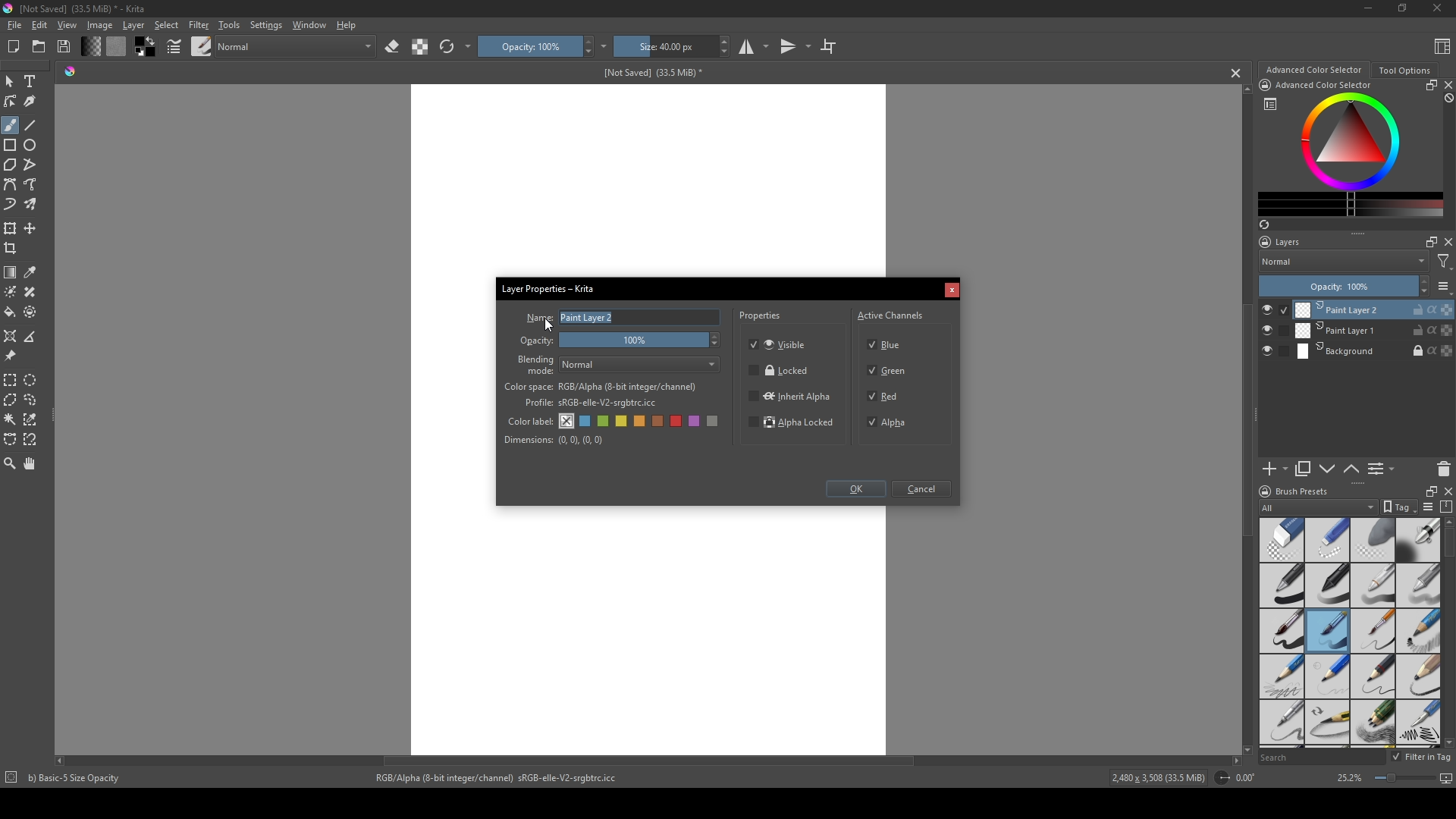 This screenshot has width=1456, height=819. I want to click on RGB/Alpha (8-bit integer/channel) sRGB-elle-V2-srgbtrc.icc, so click(503, 778).